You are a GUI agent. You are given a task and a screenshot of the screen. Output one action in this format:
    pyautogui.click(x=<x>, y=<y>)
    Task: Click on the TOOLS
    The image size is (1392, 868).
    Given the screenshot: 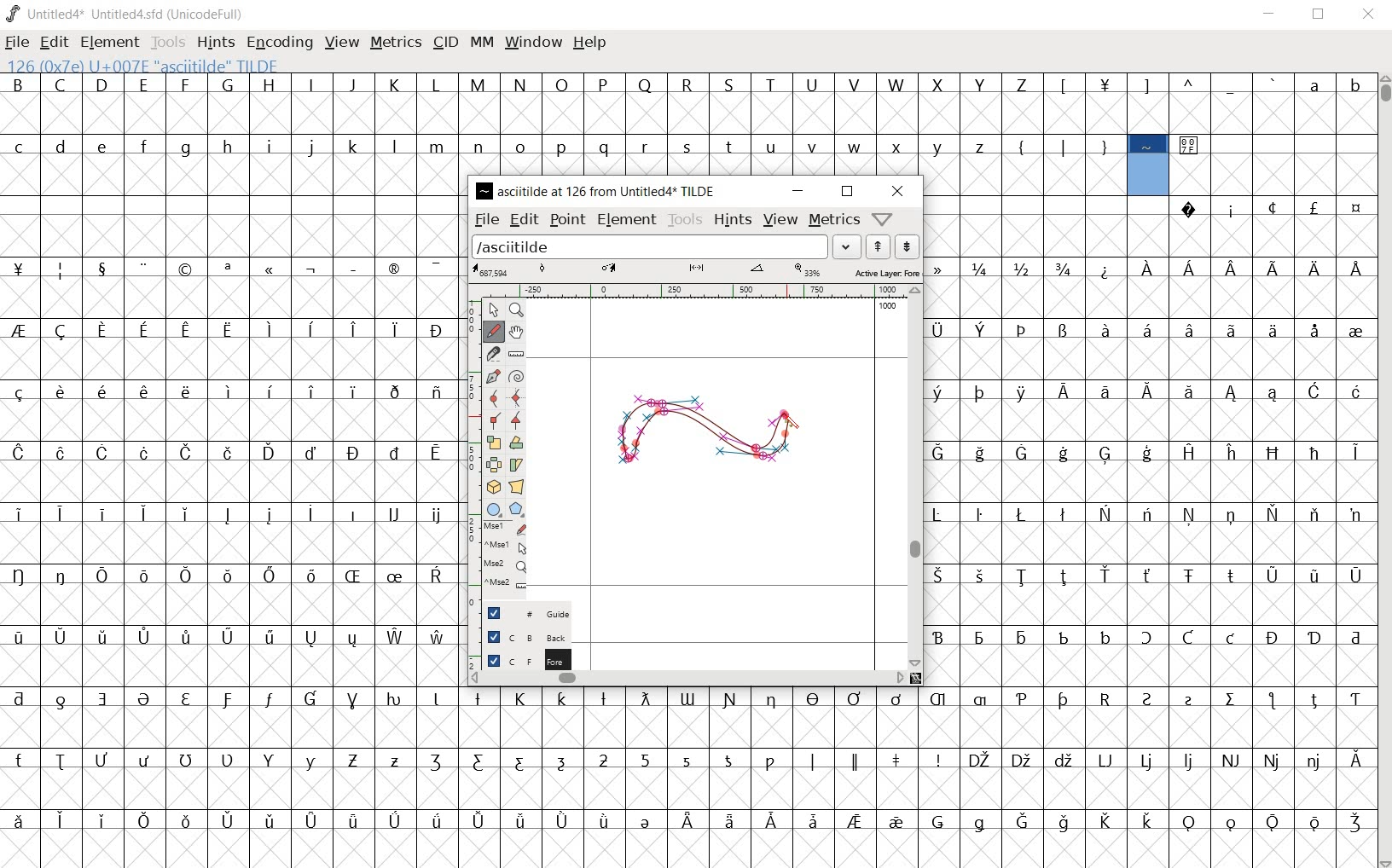 What is the action you would take?
    pyautogui.click(x=168, y=42)
    